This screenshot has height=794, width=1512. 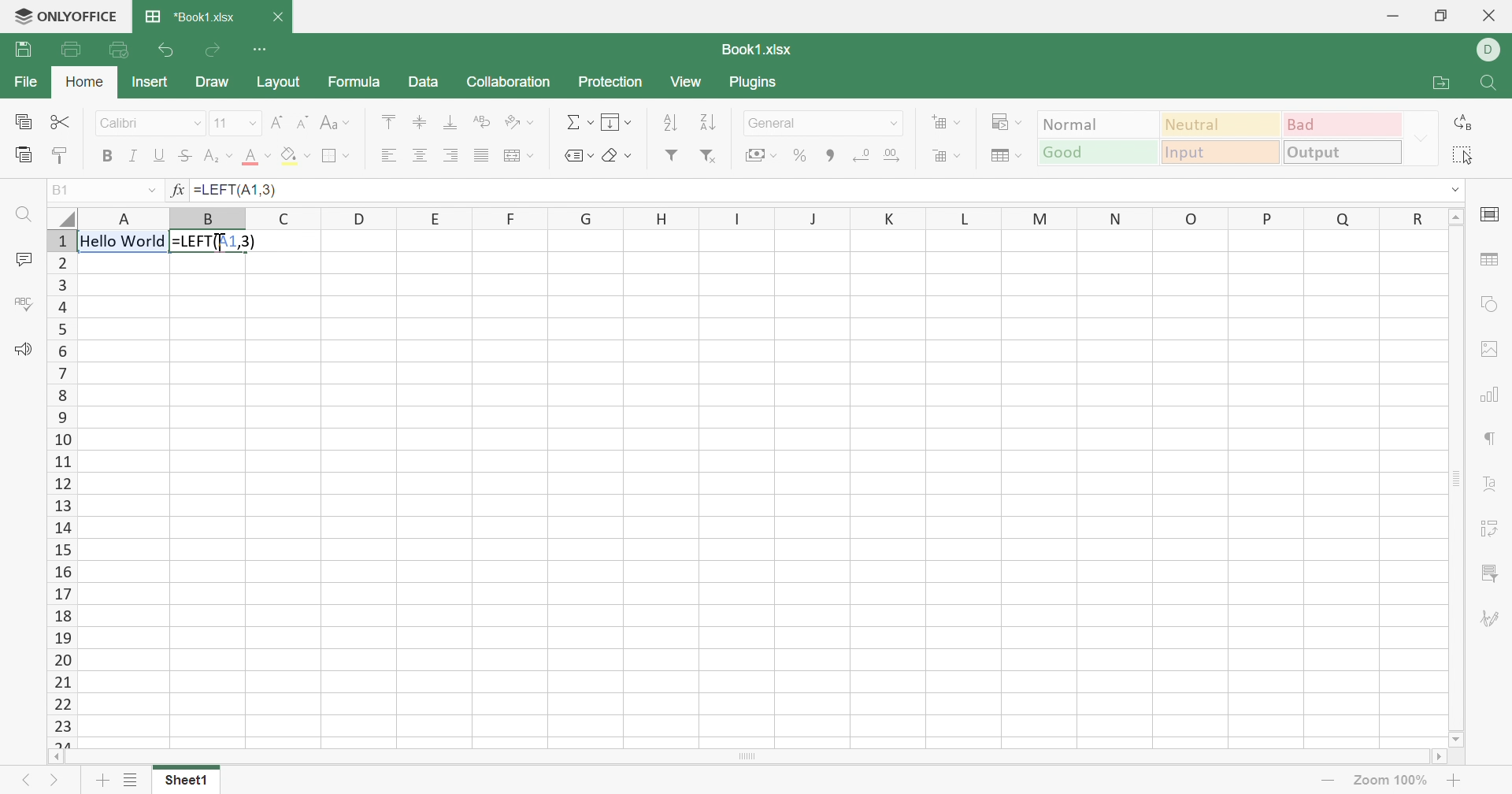 I want to click on Cursor, so click(x=220, y=242).